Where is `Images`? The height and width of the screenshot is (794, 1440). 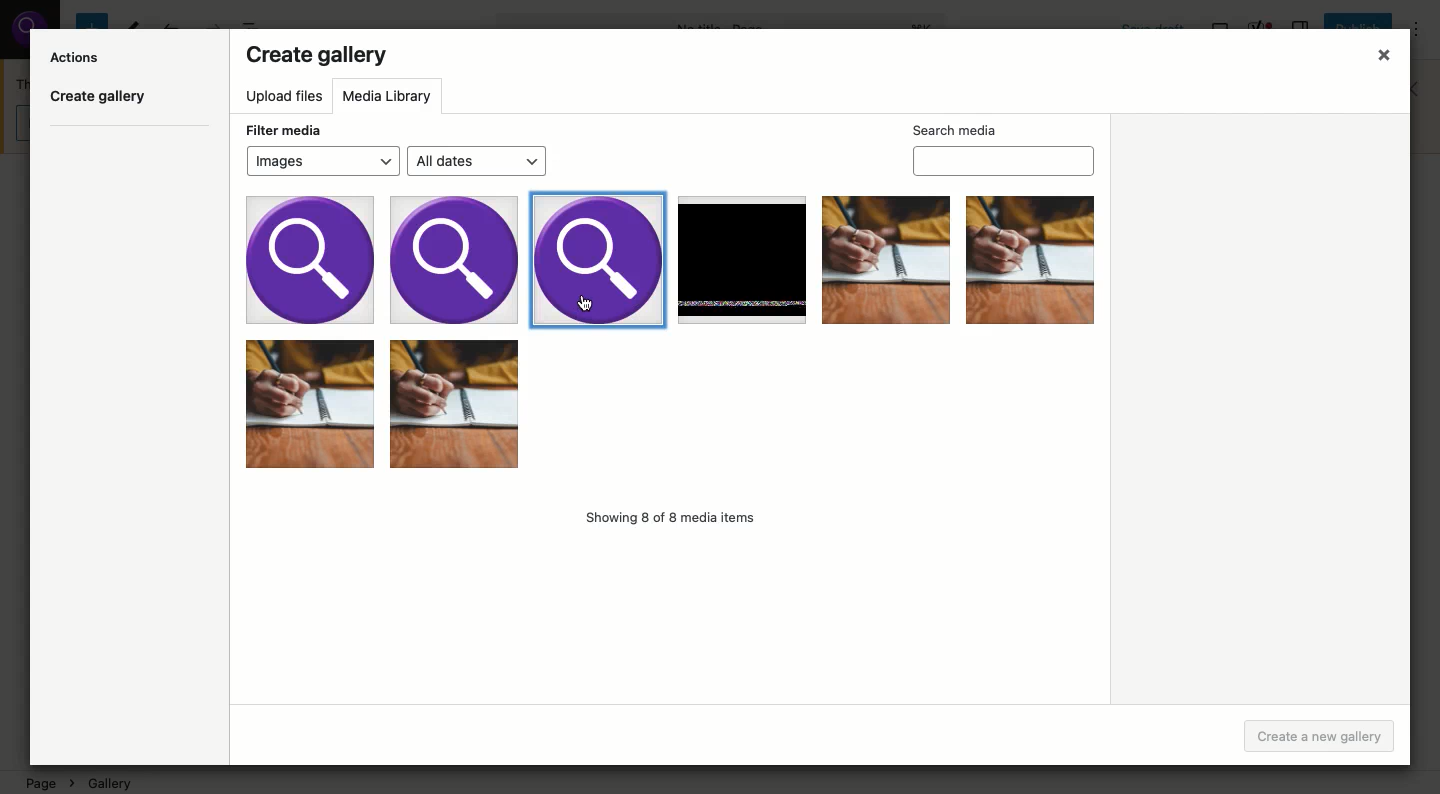 Images is located at coordinates (672, 338).